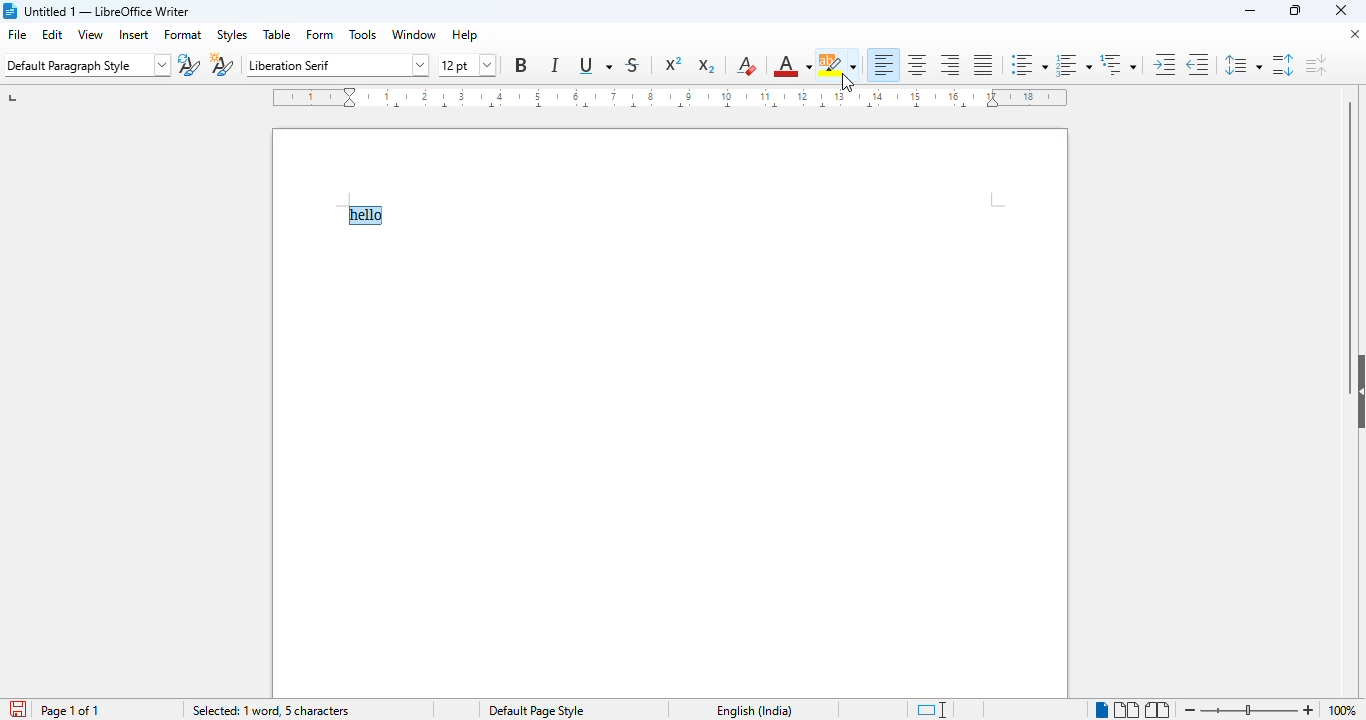  Describe the element at coordinates (19, 709) in the screenshot. I see `click to save the document` at that location.